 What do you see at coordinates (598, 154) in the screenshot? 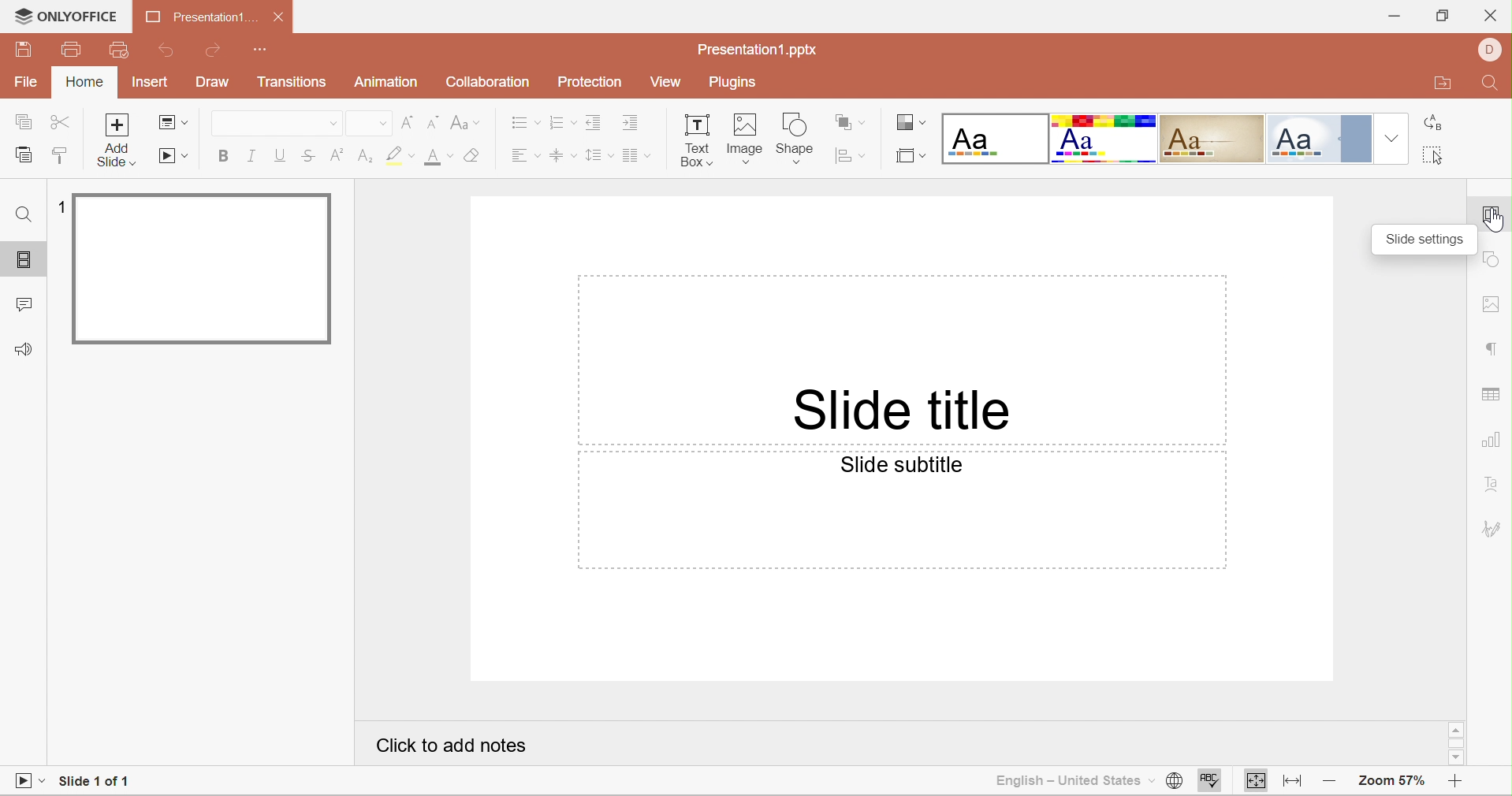
I see `Line spacing` at bounding box center [598, 154].